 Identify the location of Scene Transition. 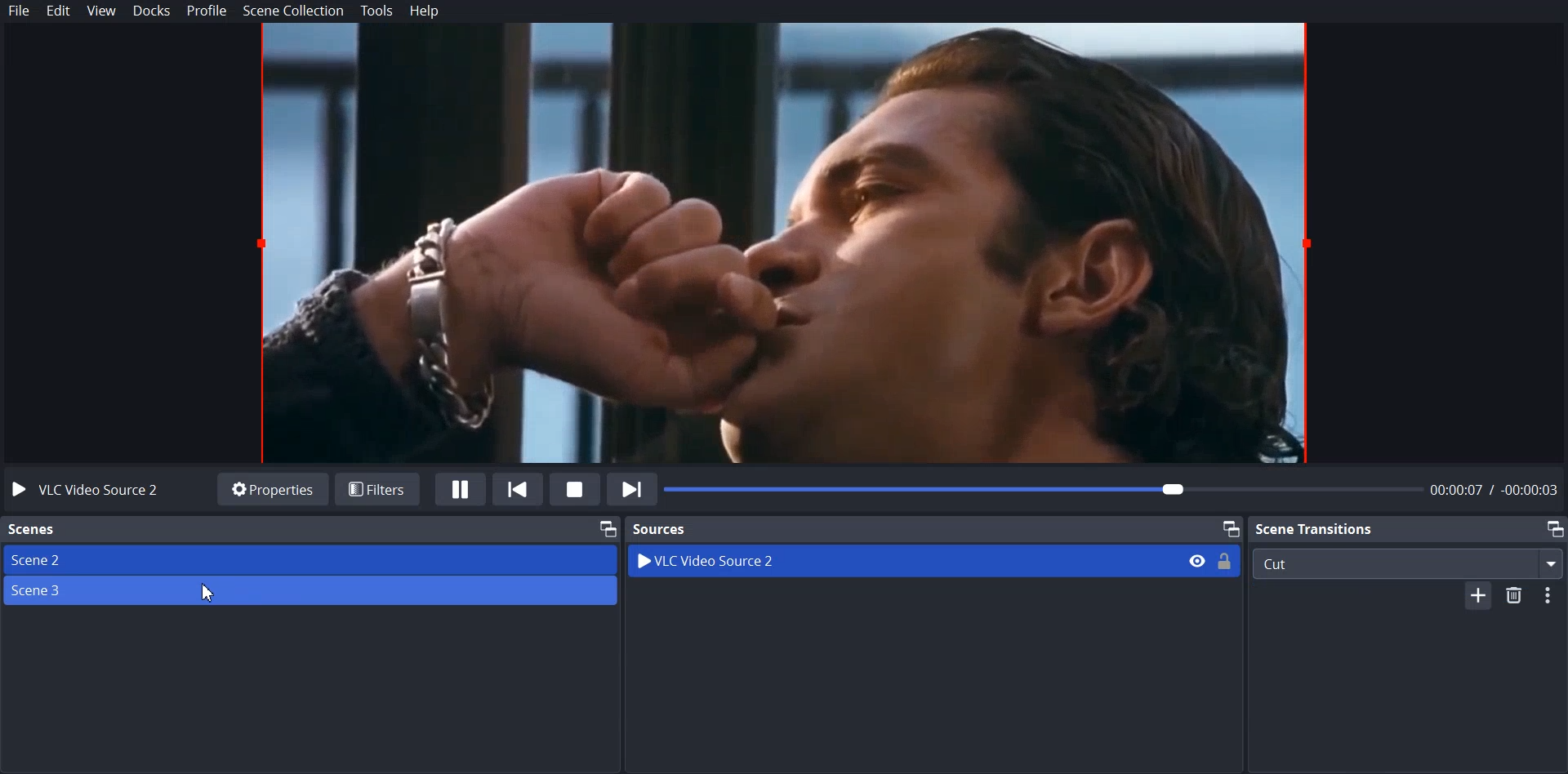
(1316, 527).